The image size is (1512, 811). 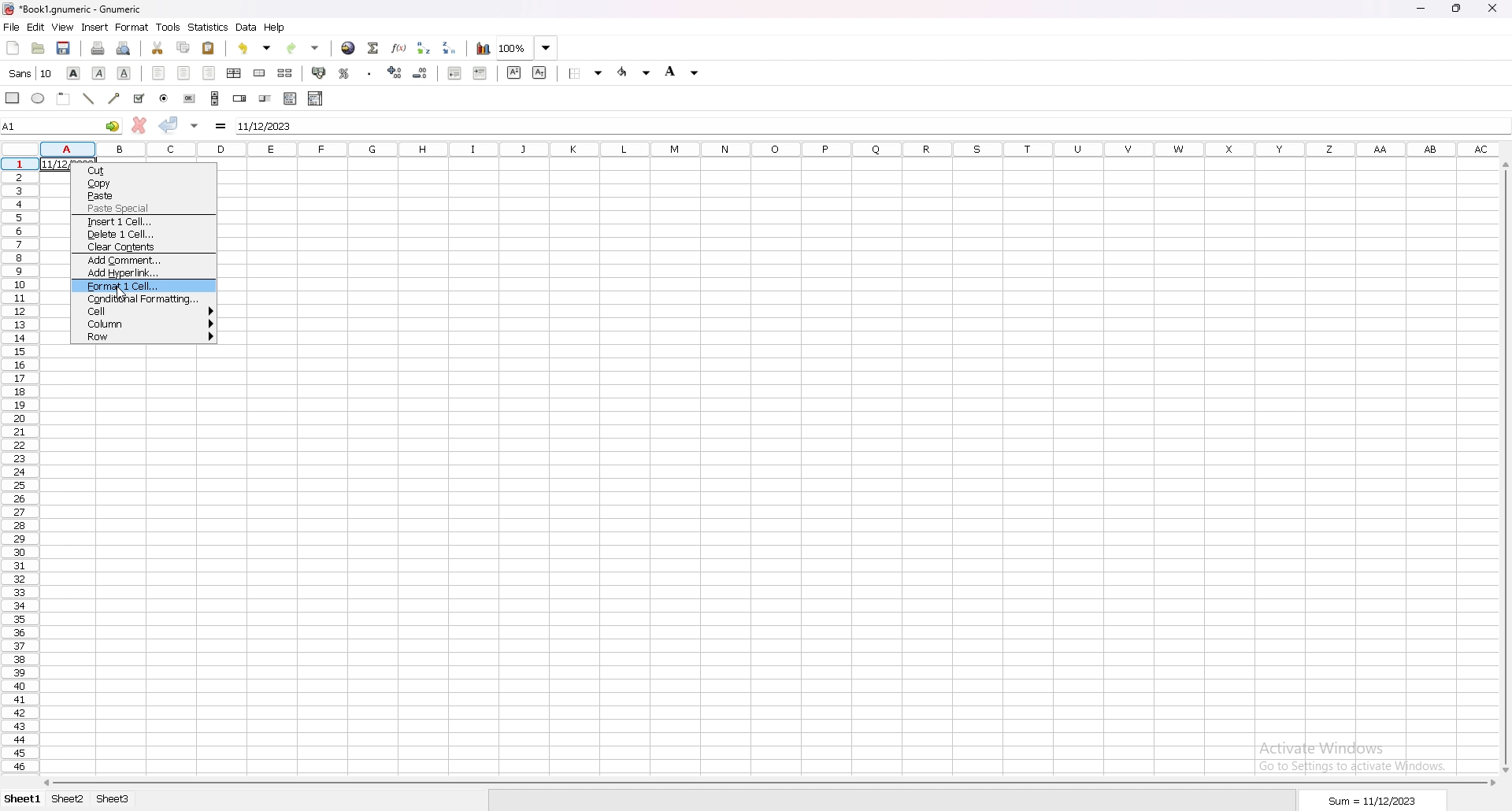 I want to click on date, so click(x=269, y=126).